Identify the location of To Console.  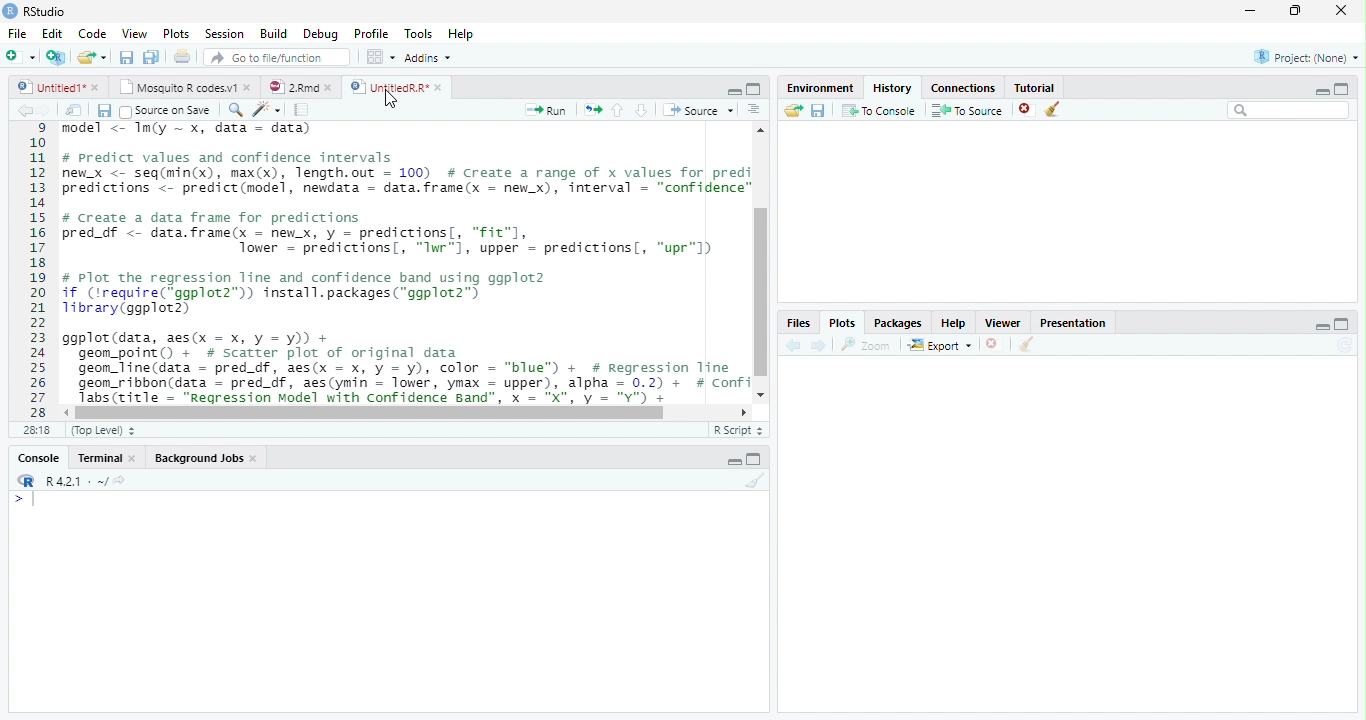
(878, 112).